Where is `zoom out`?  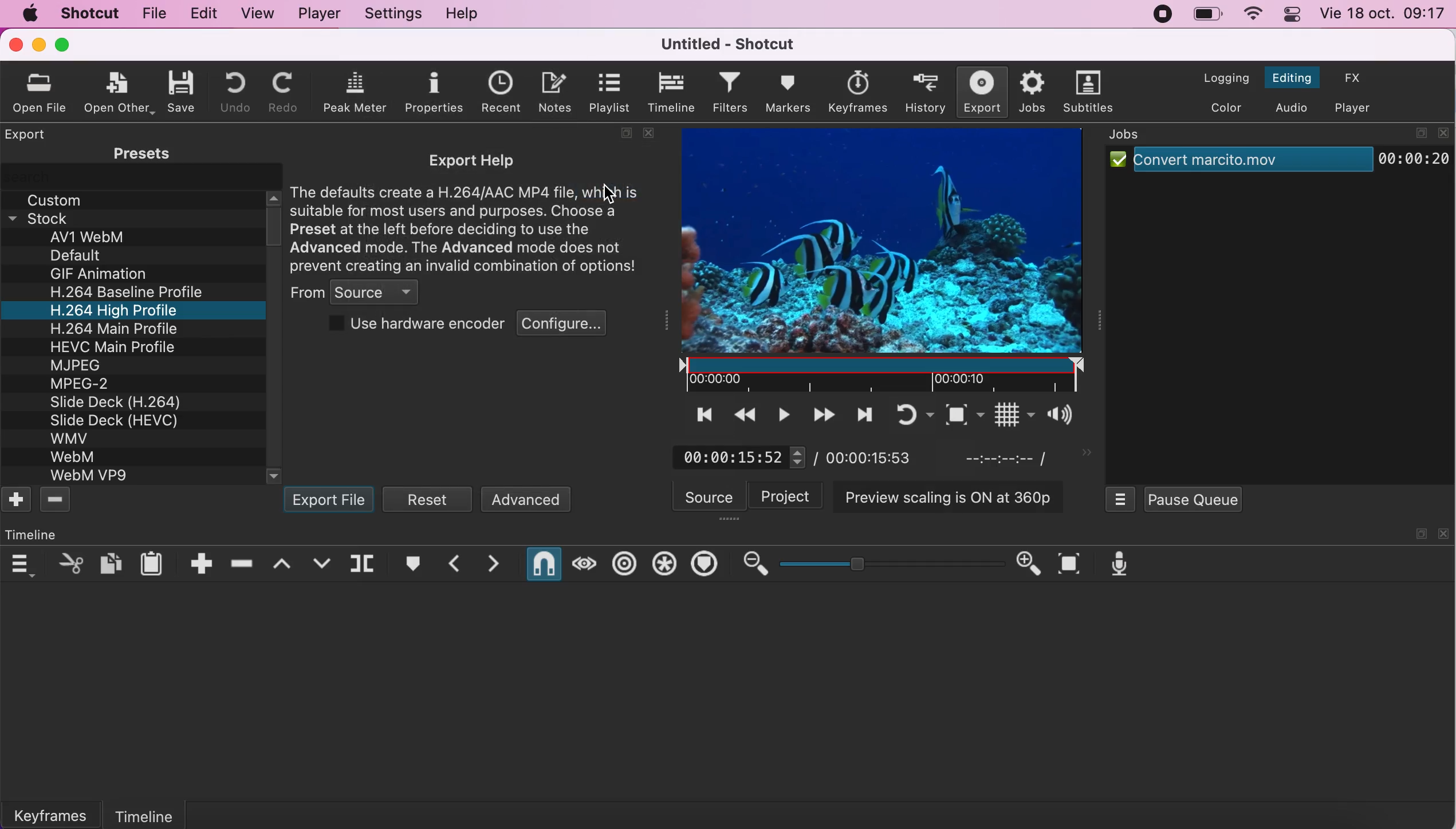
zoom out is located at coordinates (753, 564).